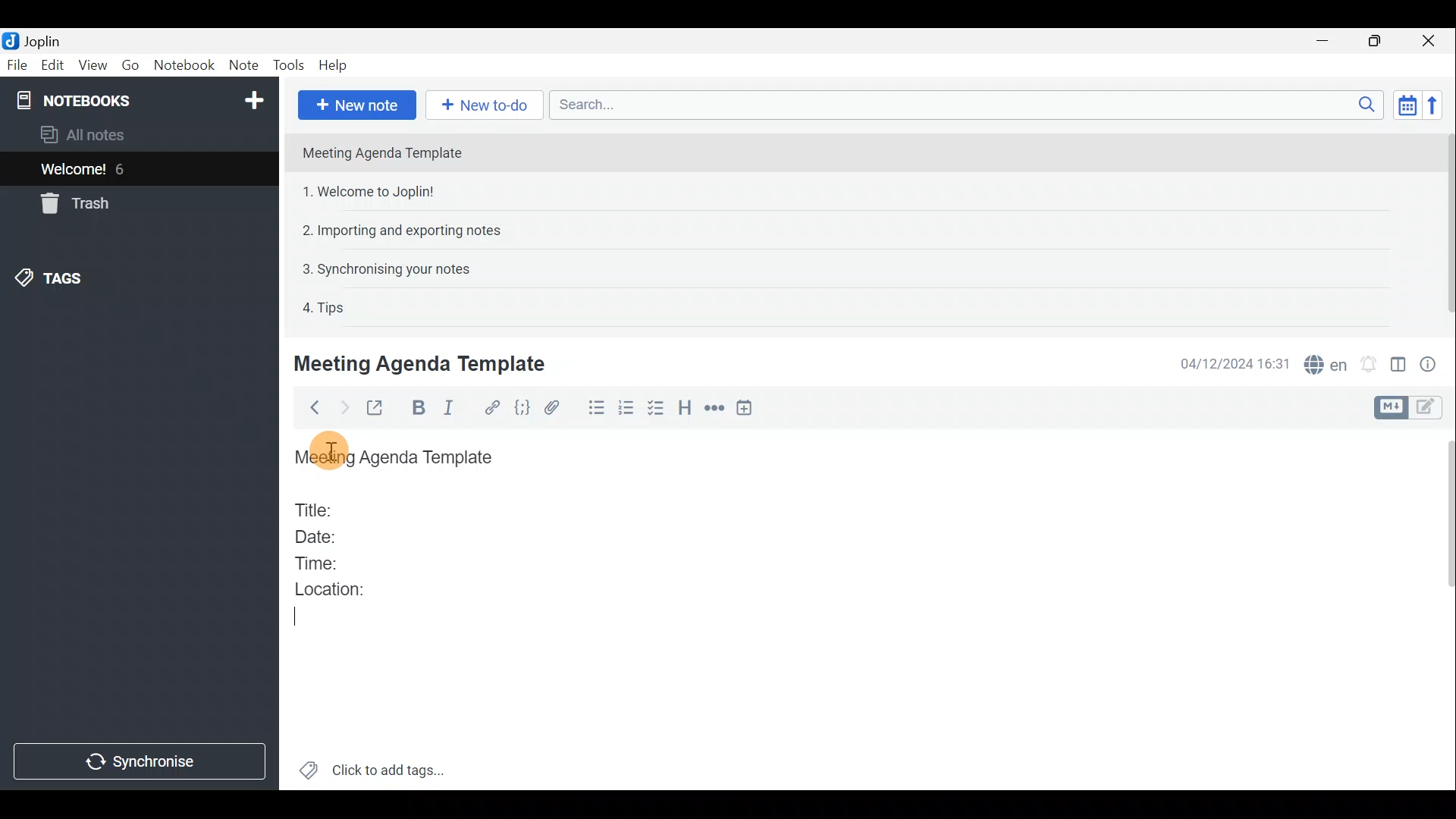 This screenshot has width=1456, height=819. I want to click on File, so click(17, 64).